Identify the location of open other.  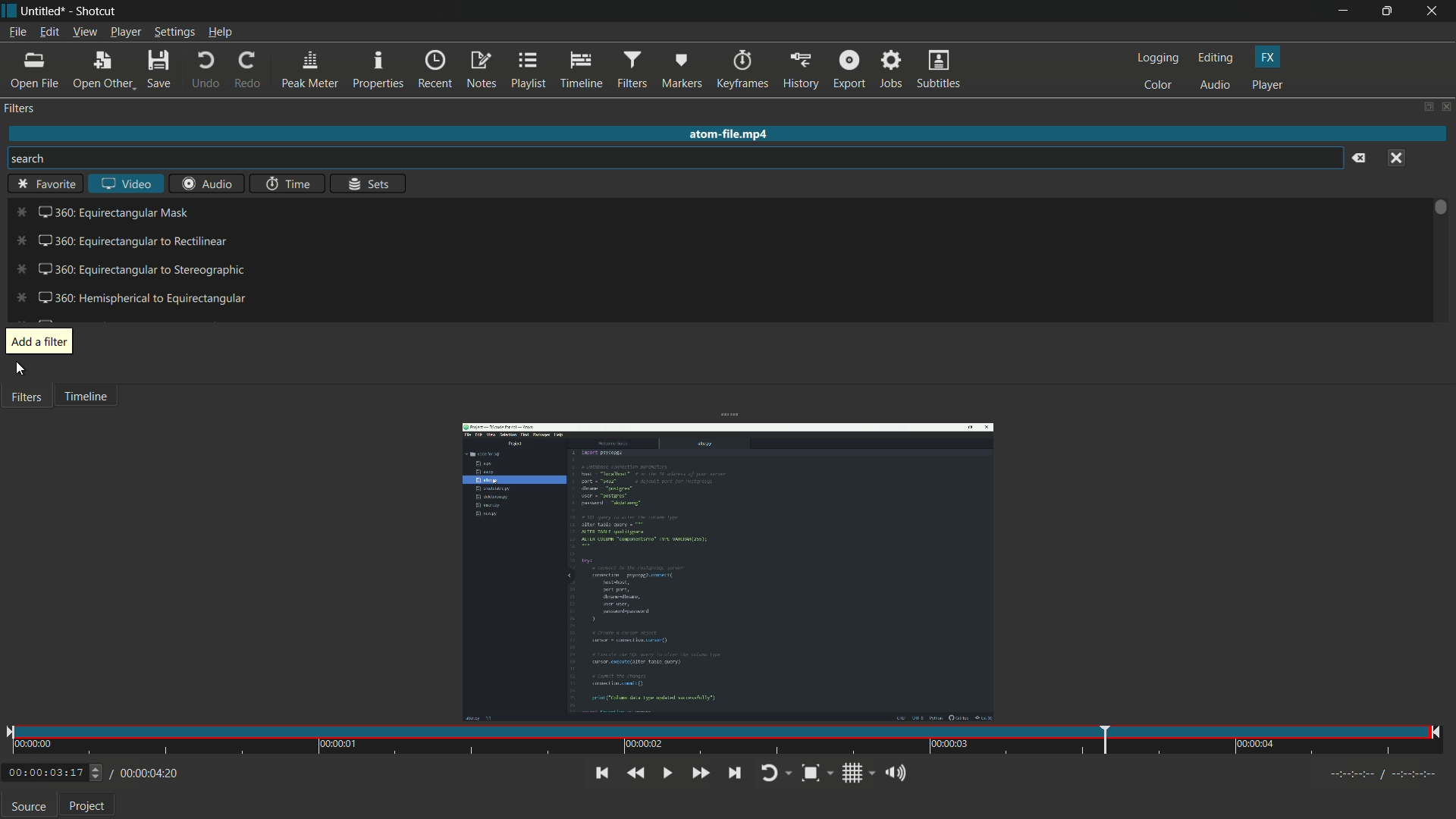
(99, 71).